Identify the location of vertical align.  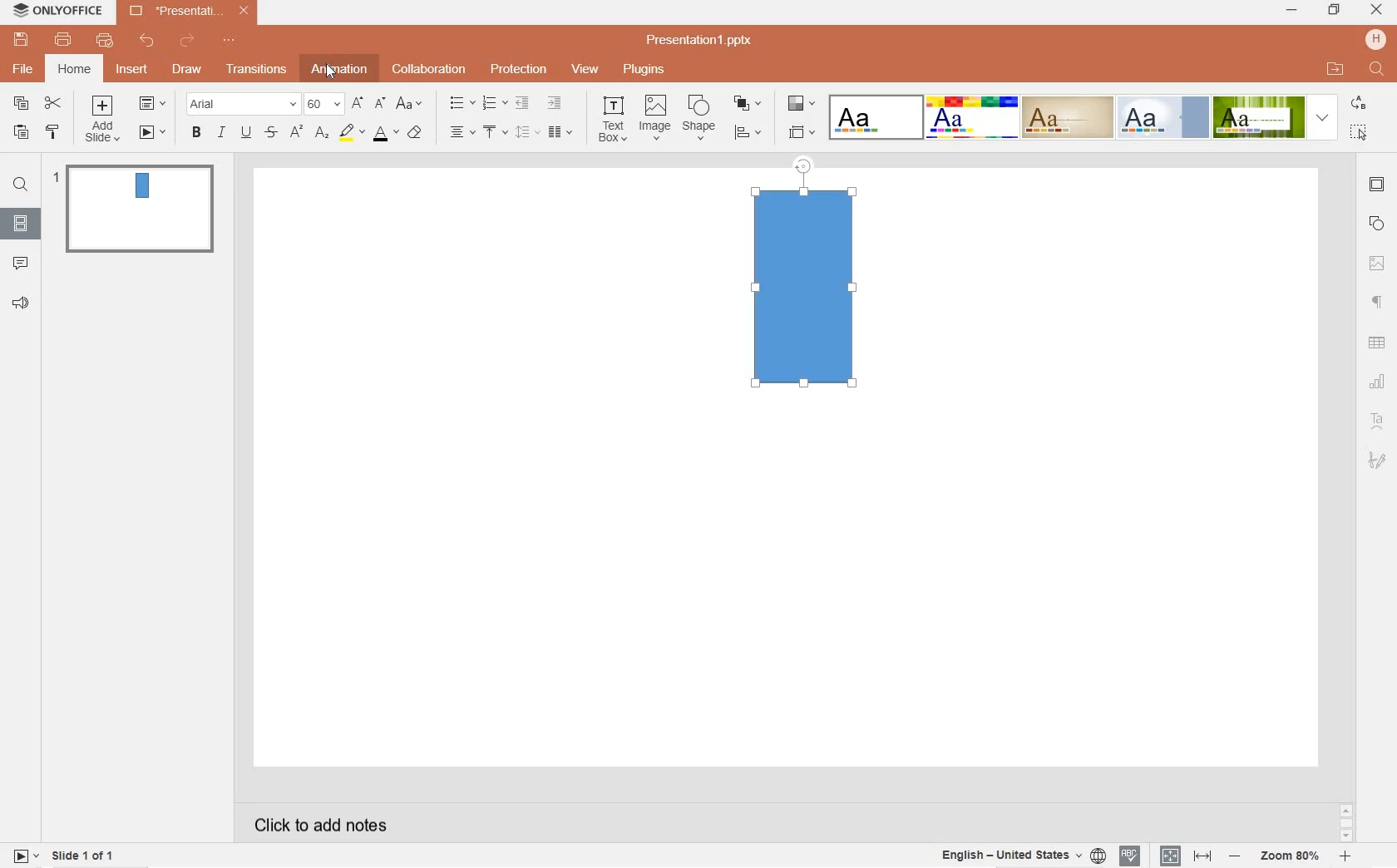
(496, 133).